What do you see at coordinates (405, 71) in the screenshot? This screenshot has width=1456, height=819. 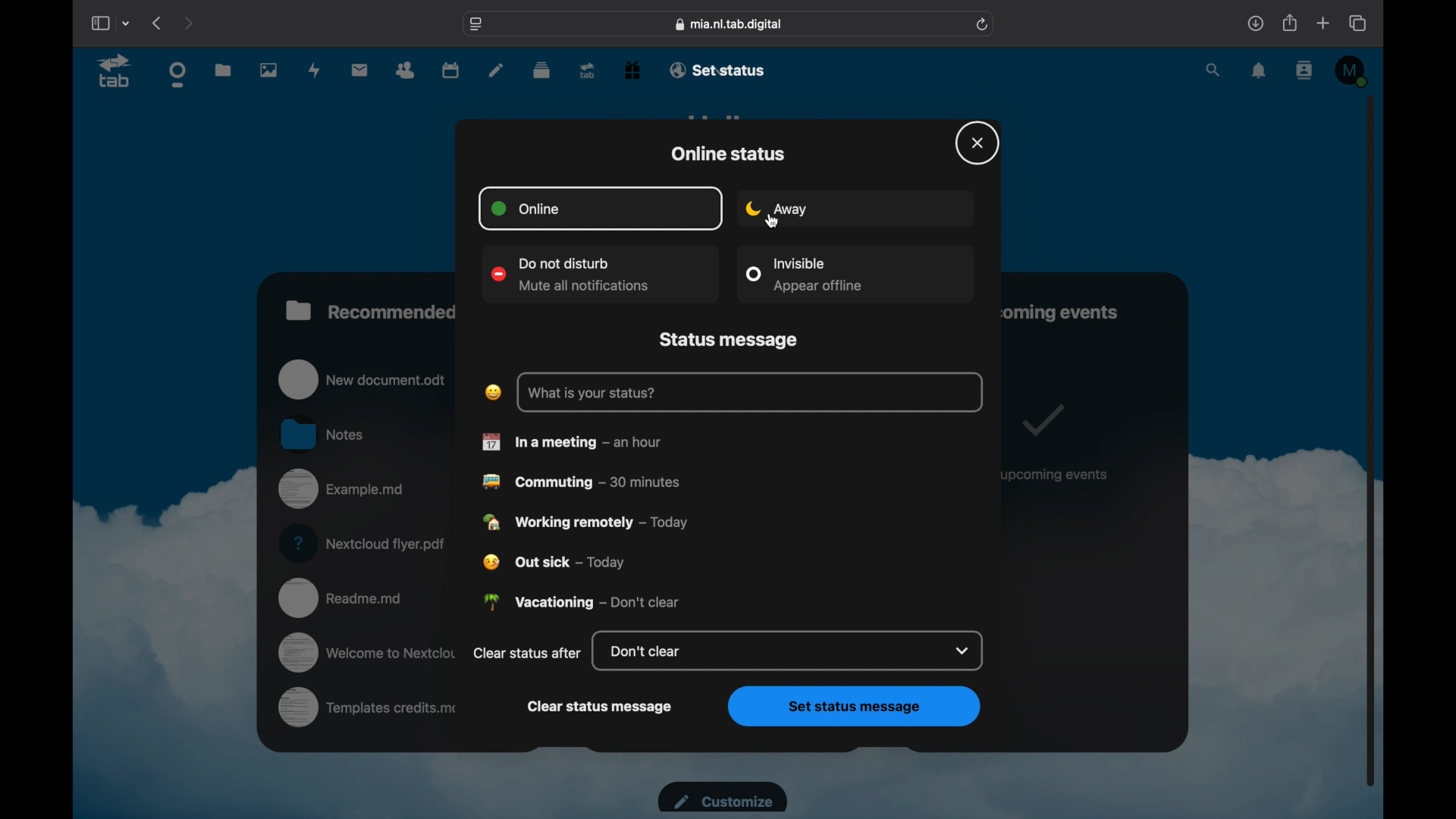 I see `contacts` at bounding box center [405, 71].